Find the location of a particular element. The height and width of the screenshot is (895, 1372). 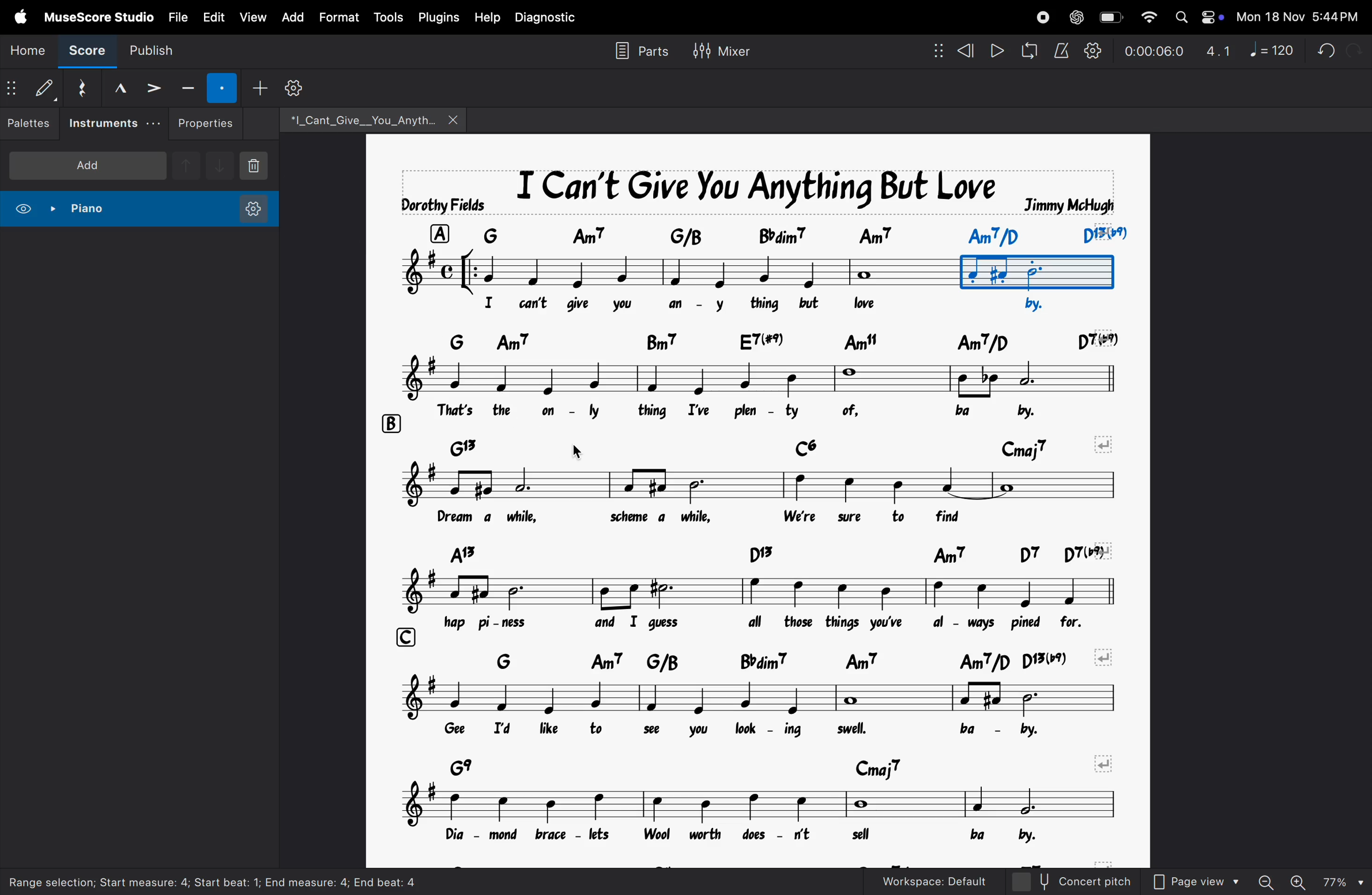

row is located at coordinates (446, 233).